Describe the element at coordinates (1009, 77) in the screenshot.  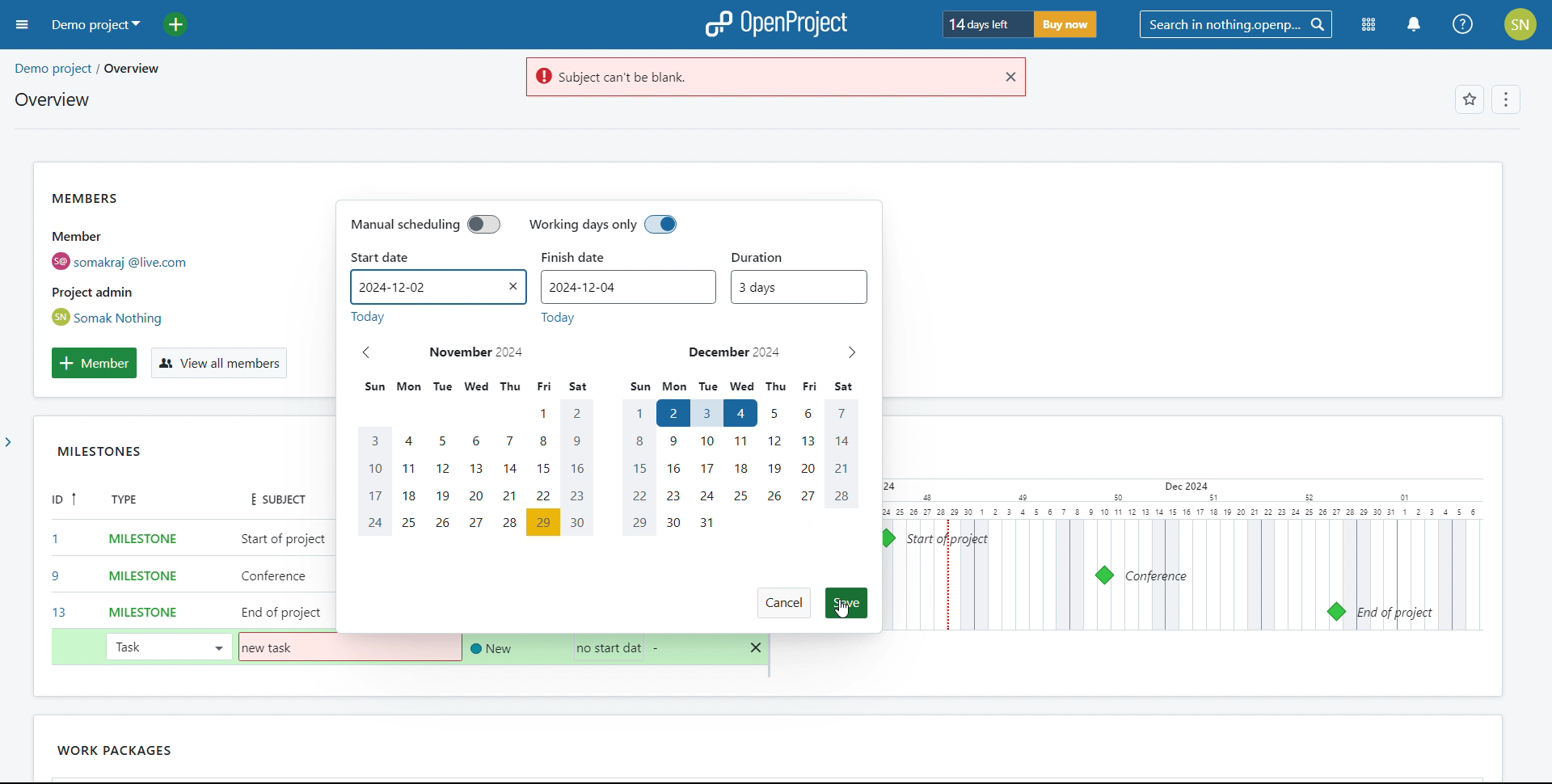
I see `close warning` at that location.